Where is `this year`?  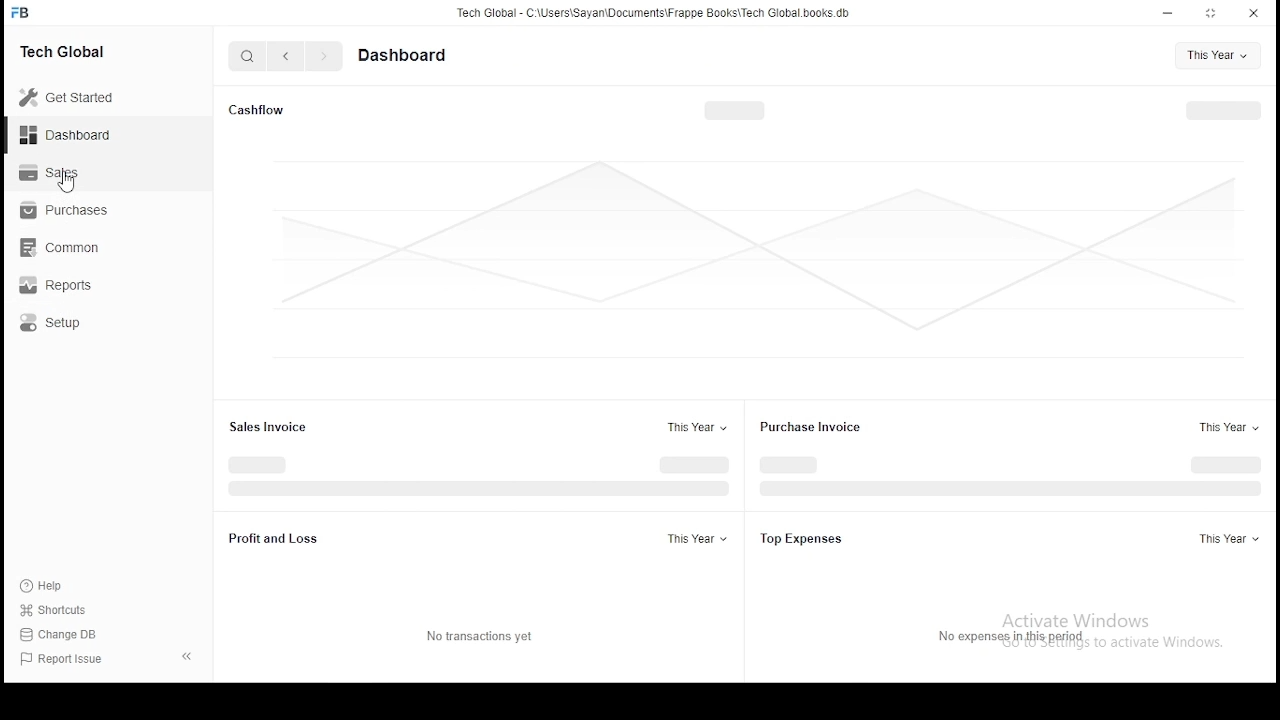
this year is located at coordinates (694, 540).